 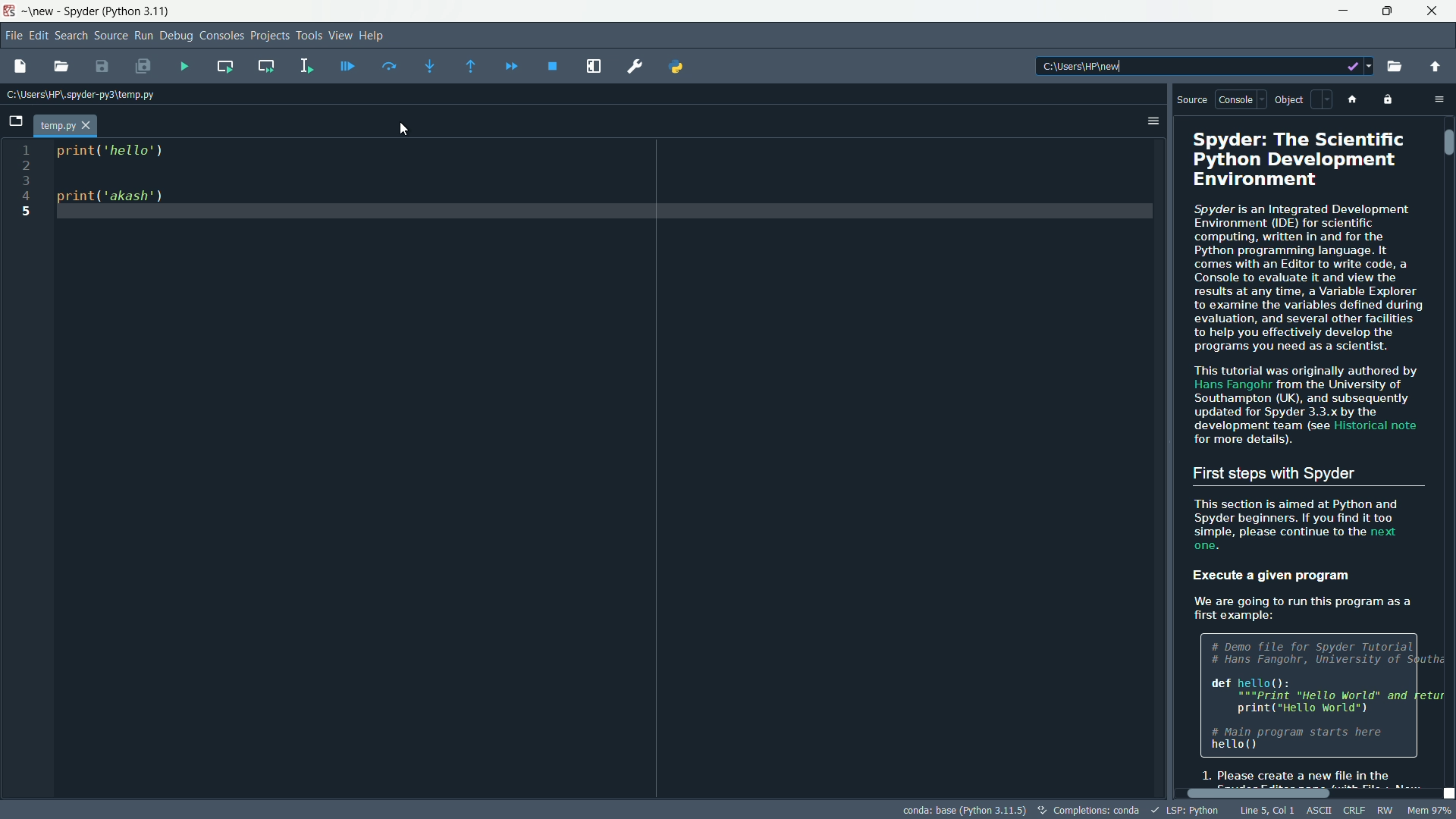 I want to click on home, so click(x=1357, y=100).